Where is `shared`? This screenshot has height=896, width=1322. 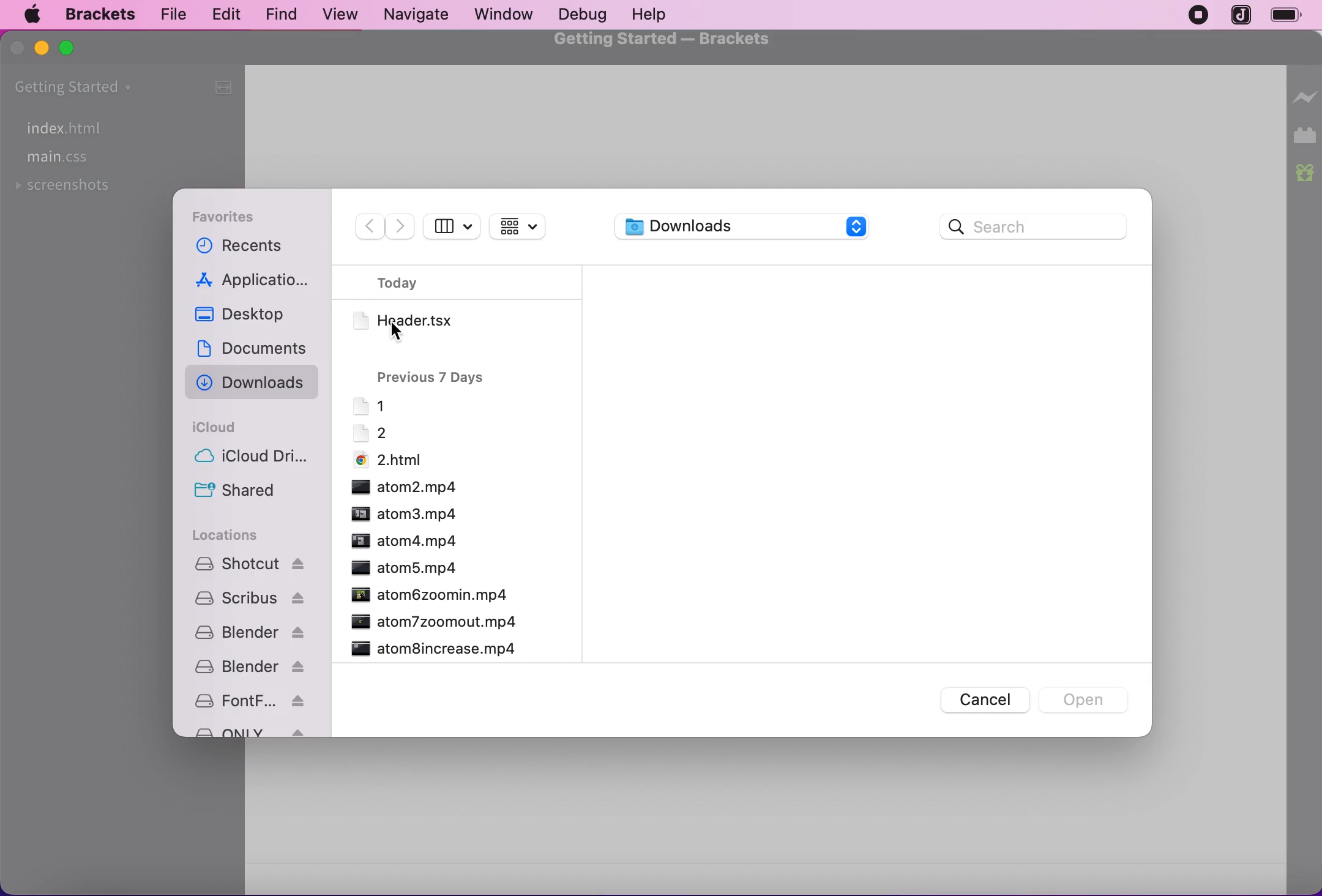 shared is located at coordinates (241, 493).